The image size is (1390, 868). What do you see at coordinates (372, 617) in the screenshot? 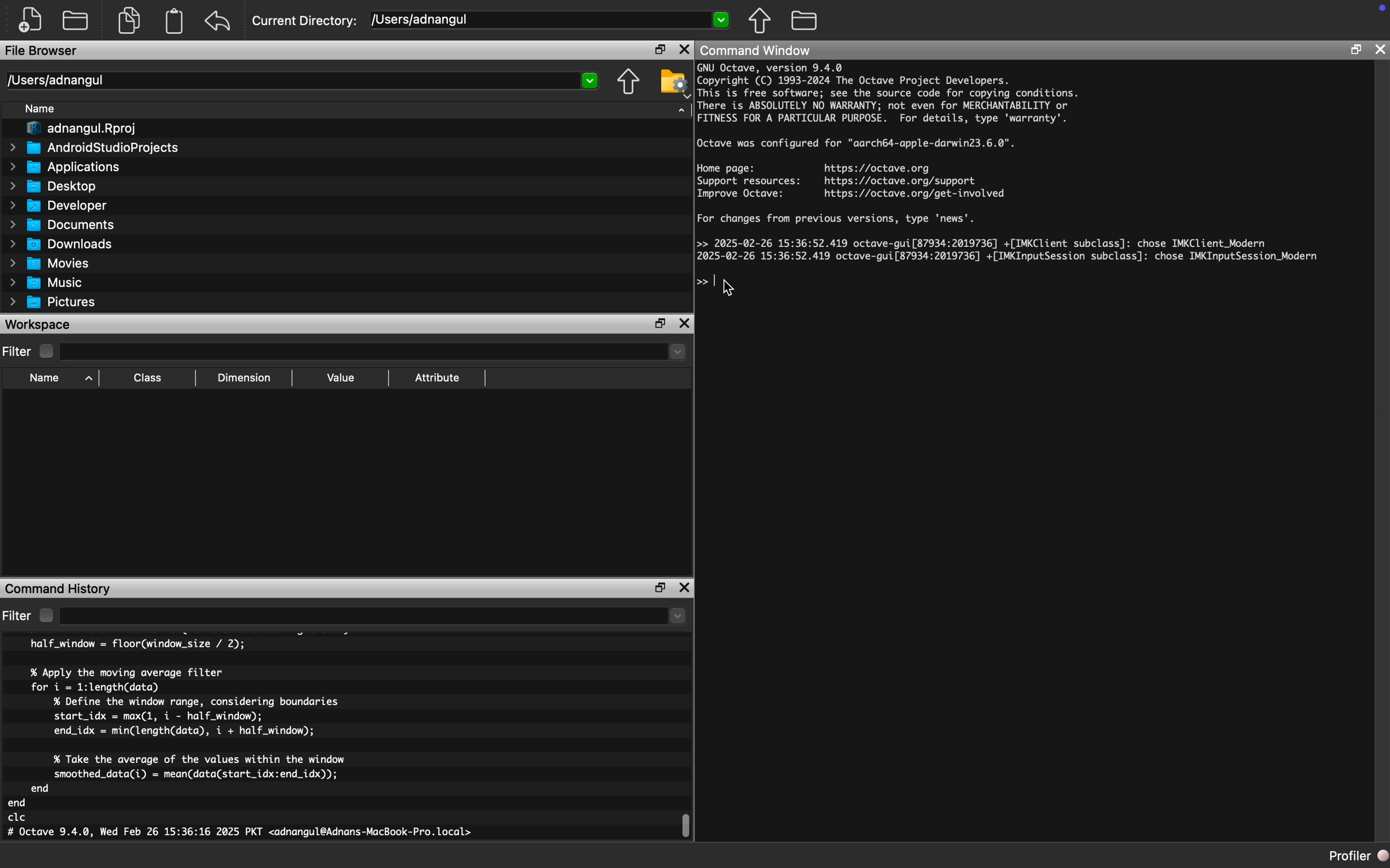
I see `Dropdown` at bounding box center [372, 617].